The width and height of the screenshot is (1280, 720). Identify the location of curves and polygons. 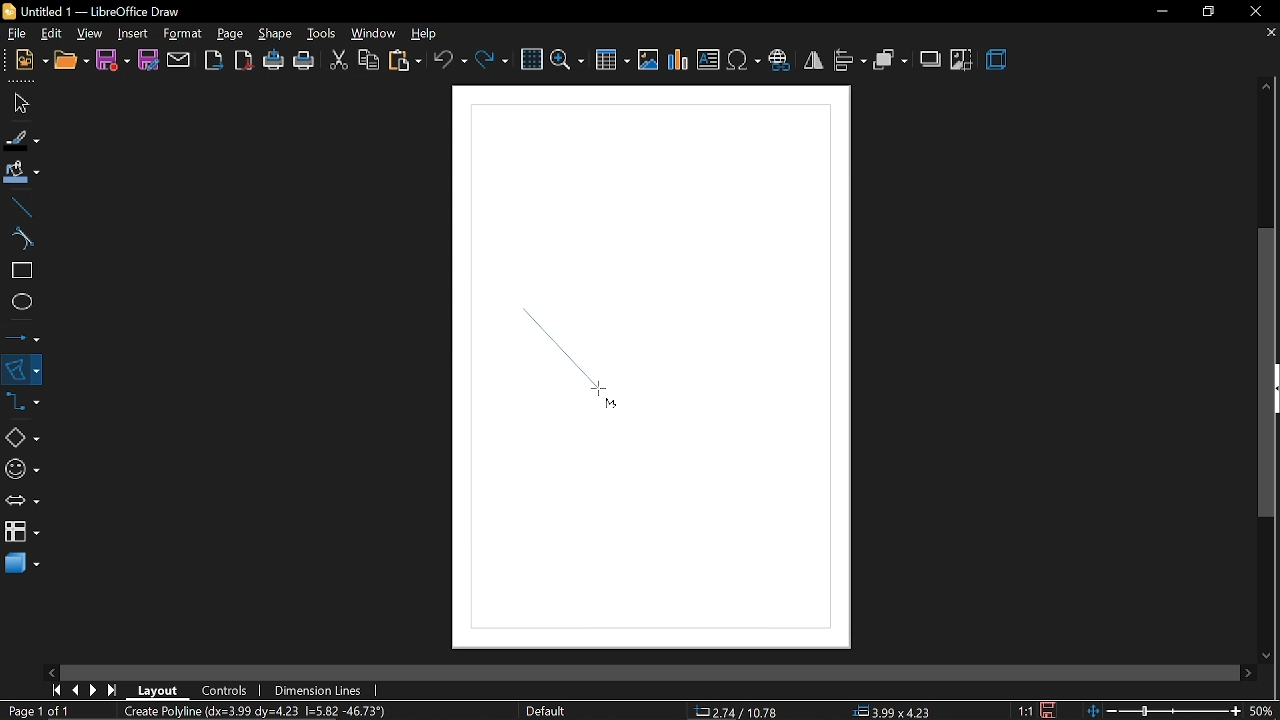
(22, 369).